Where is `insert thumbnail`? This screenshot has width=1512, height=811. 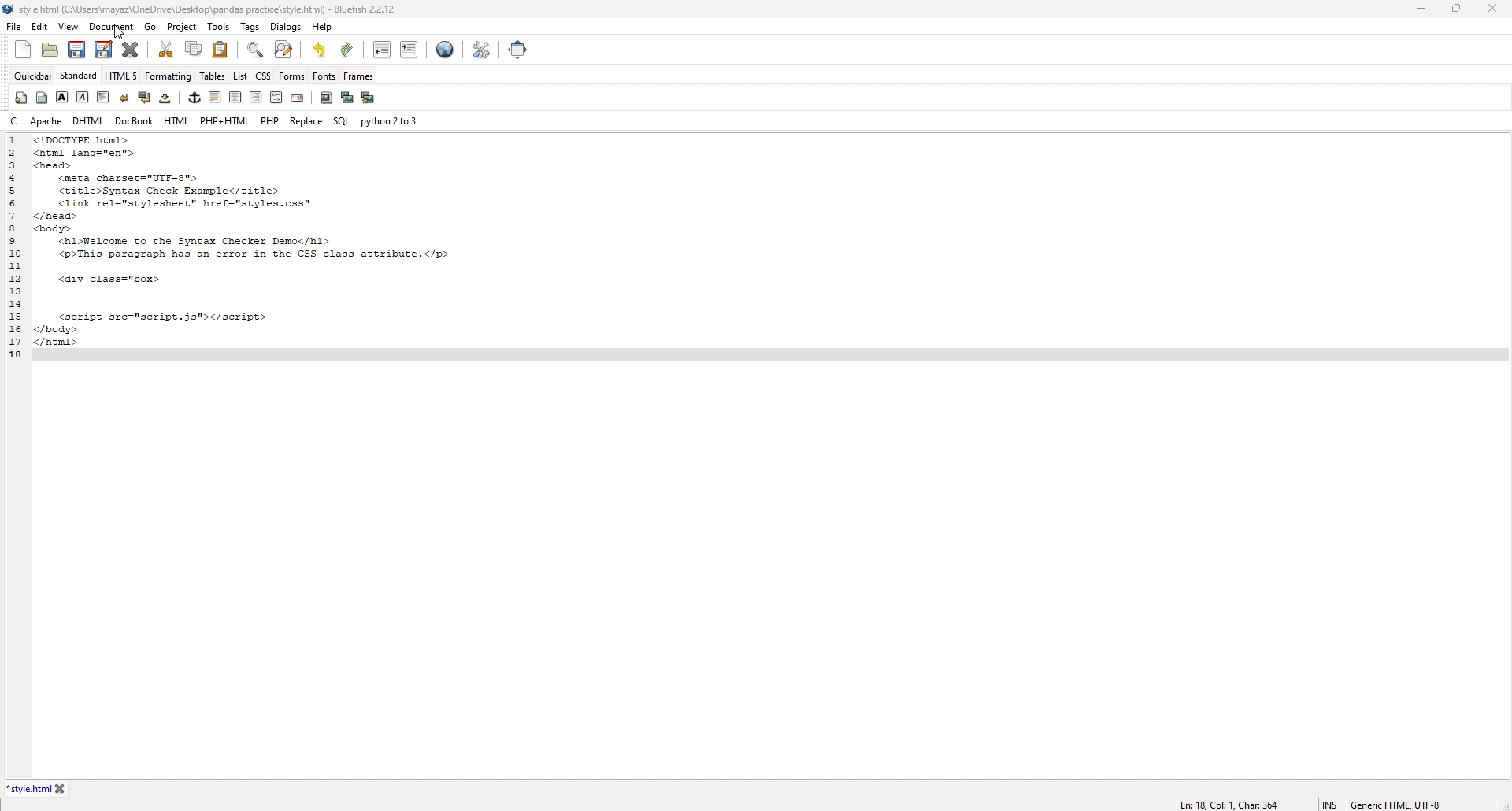 insert thumbnail is located at coordinates (346, 97).